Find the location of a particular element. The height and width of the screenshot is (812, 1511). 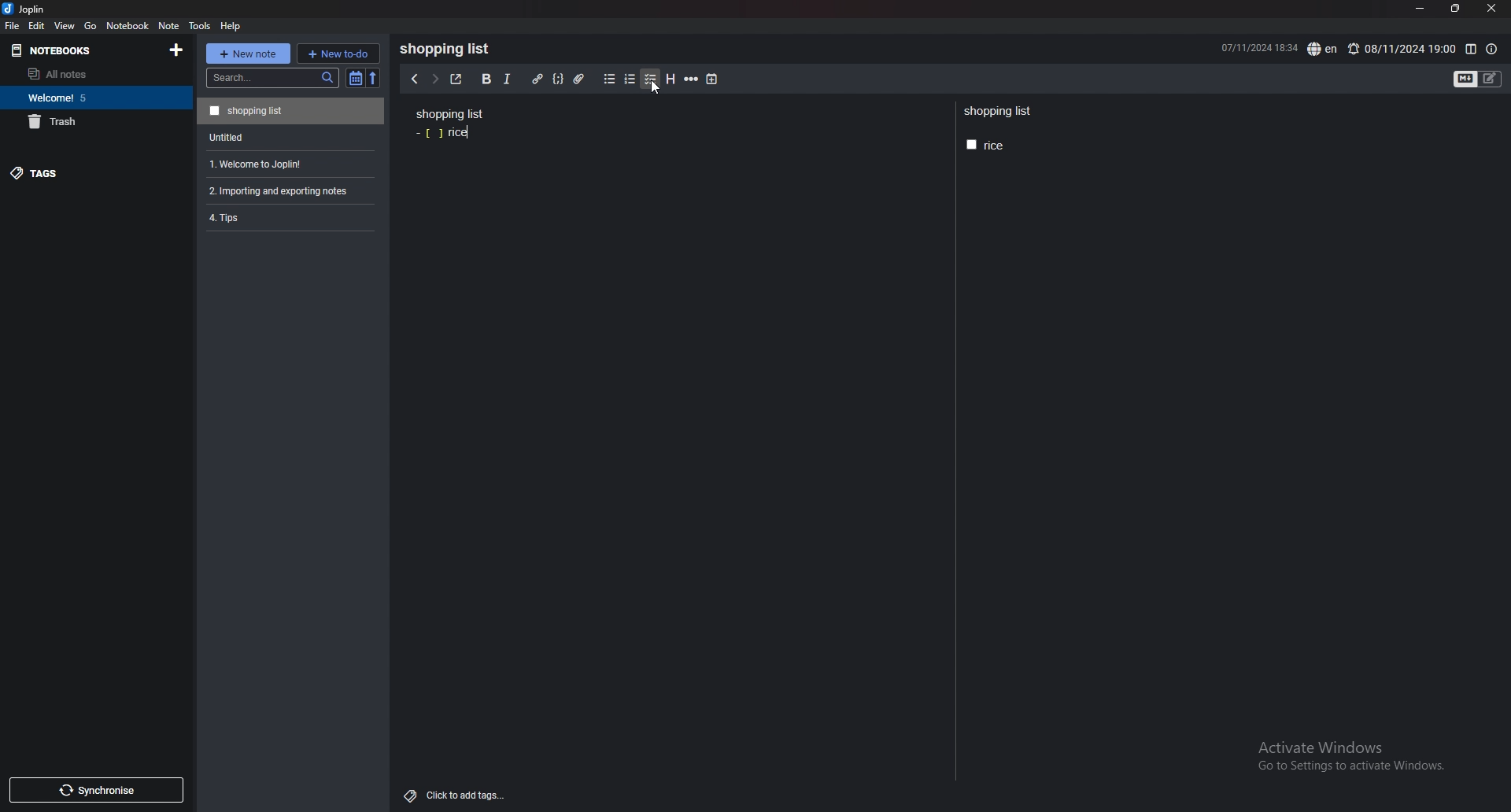

minimize is located at coordinates (1420, 9).